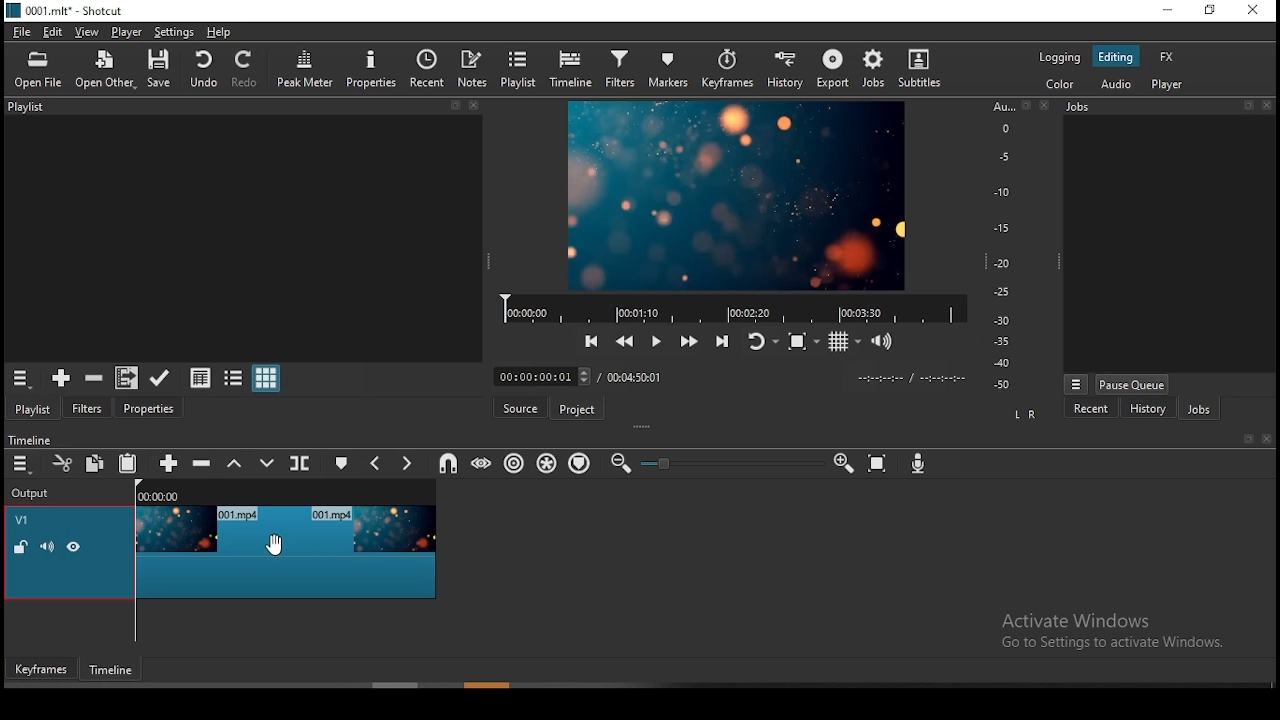 The height and width of the screenshot is (720, 1280). What do you see at coordinates (300, 464) in the screenshot?
I see `split at playhead` at bounding box center [300, 464].